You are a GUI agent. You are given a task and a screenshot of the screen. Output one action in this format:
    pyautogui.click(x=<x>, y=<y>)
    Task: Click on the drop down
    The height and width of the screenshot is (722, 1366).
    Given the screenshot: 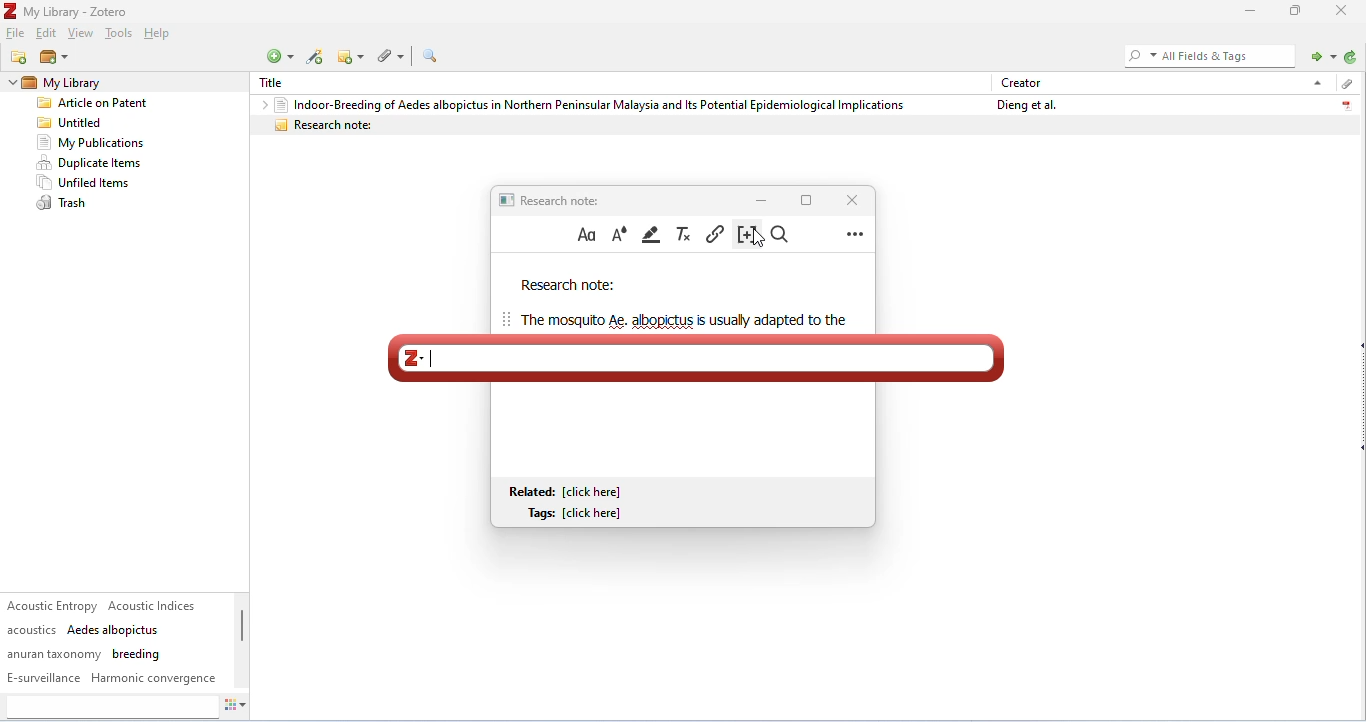 What is the action you would take?
    pyautogui.click(x=1315, y=82)
    